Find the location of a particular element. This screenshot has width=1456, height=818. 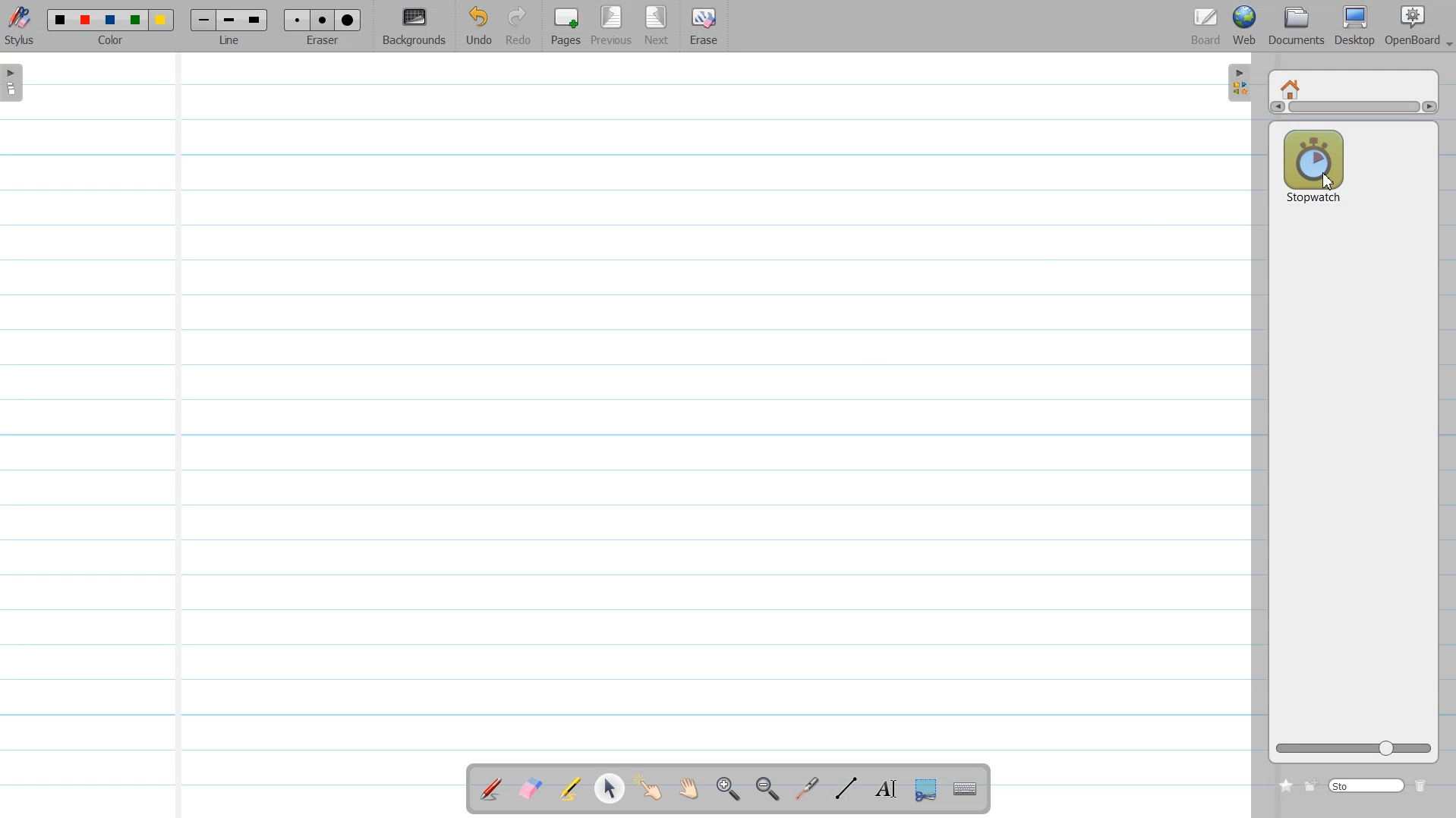

Sidebar is located at coordinates (1237, 83).